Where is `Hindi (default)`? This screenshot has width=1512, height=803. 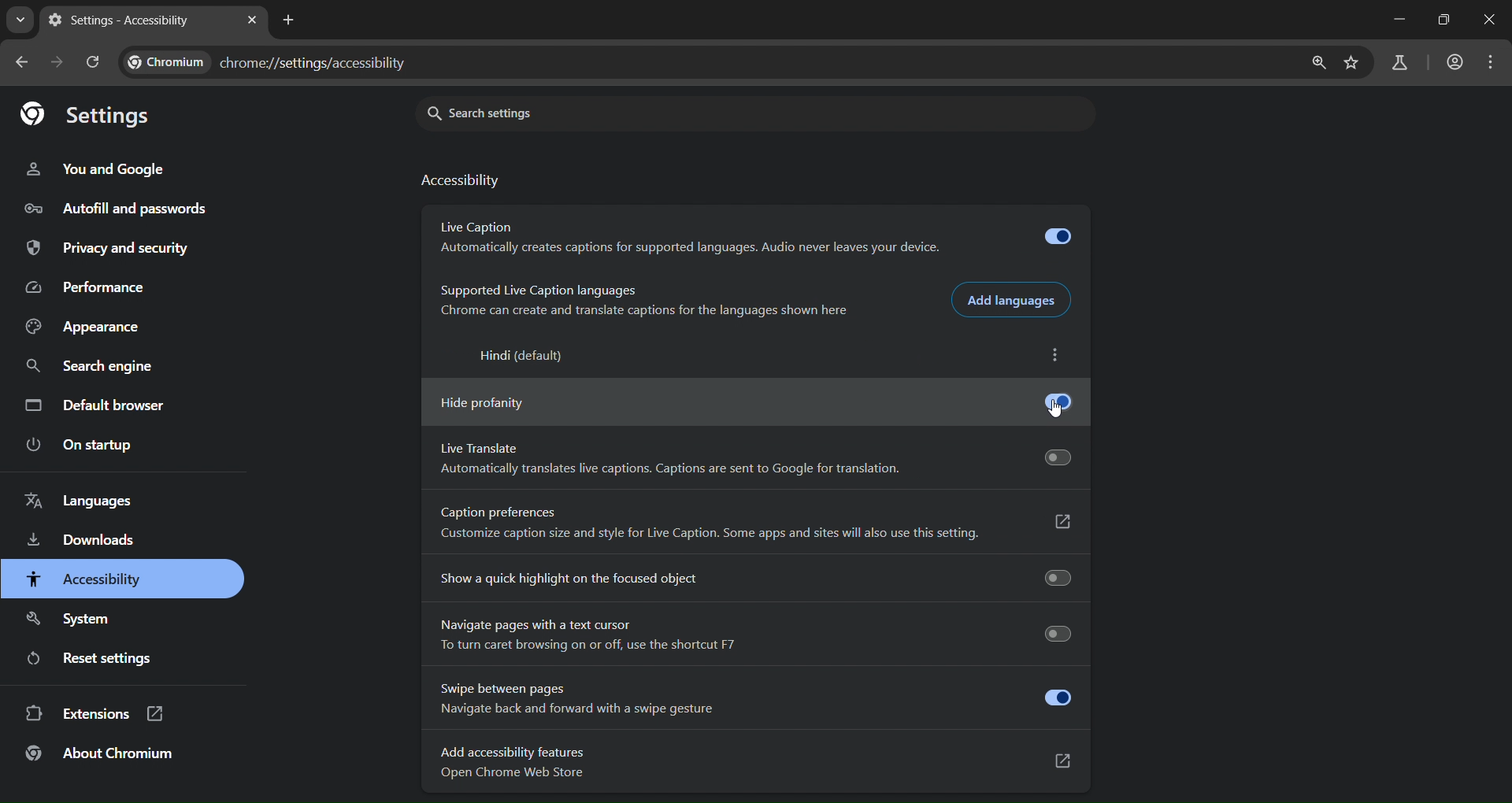
Hindi (default) is located at coordinates (517, 357).